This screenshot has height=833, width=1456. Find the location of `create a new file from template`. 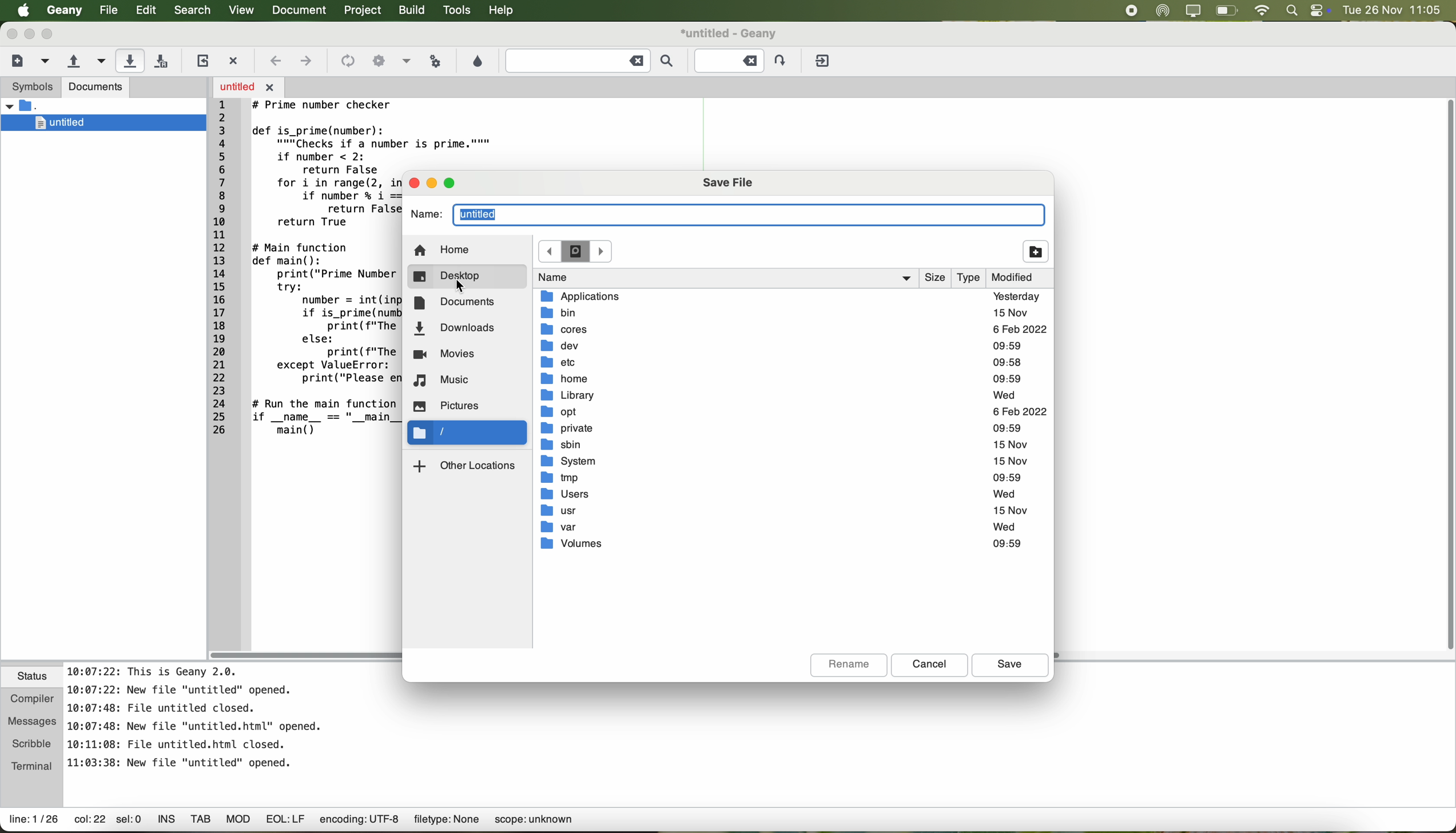

create a new file from template is located at coordinates (46, 62).